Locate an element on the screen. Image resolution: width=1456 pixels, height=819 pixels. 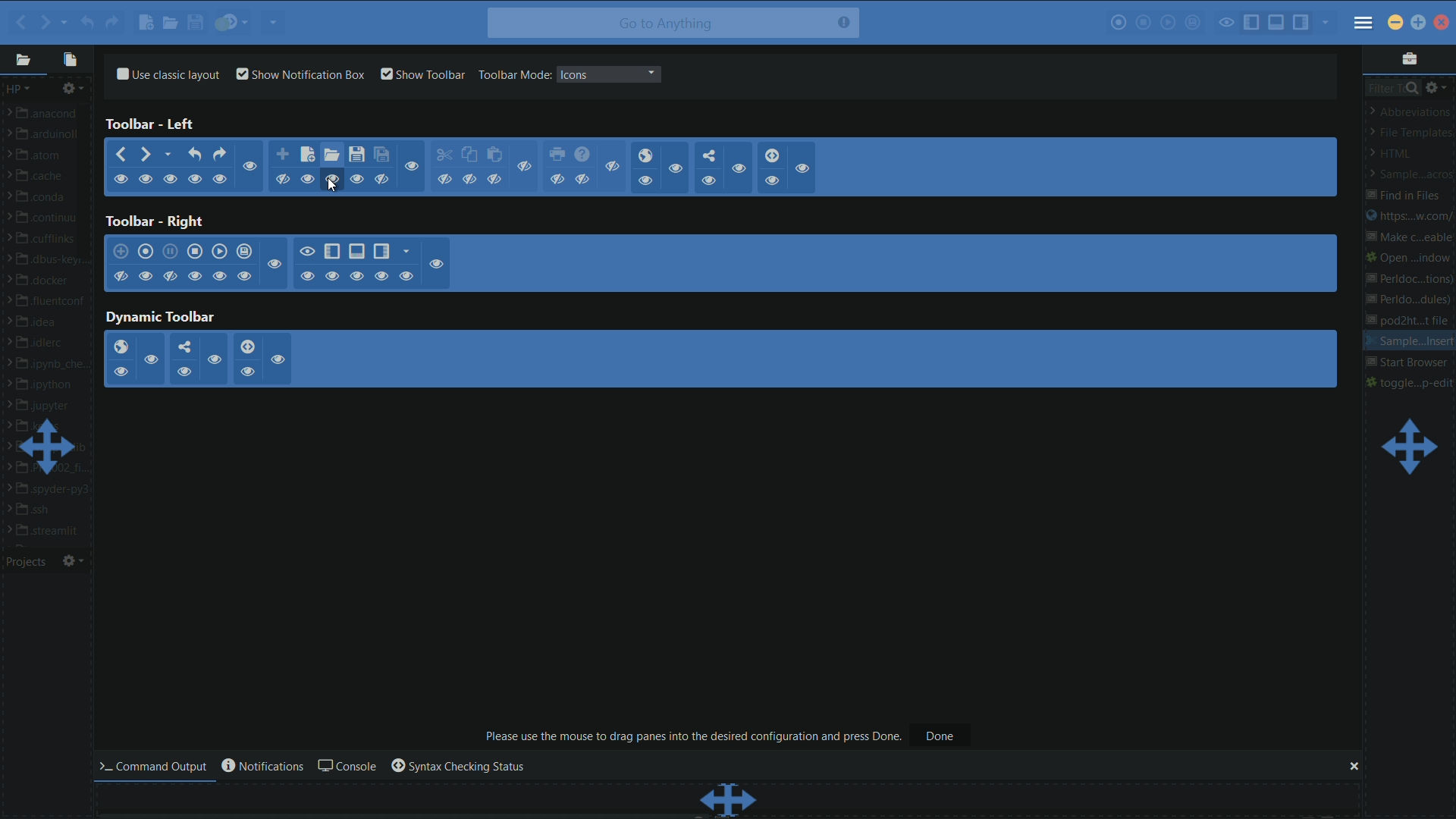
undo is located at coordinates (196, 154).